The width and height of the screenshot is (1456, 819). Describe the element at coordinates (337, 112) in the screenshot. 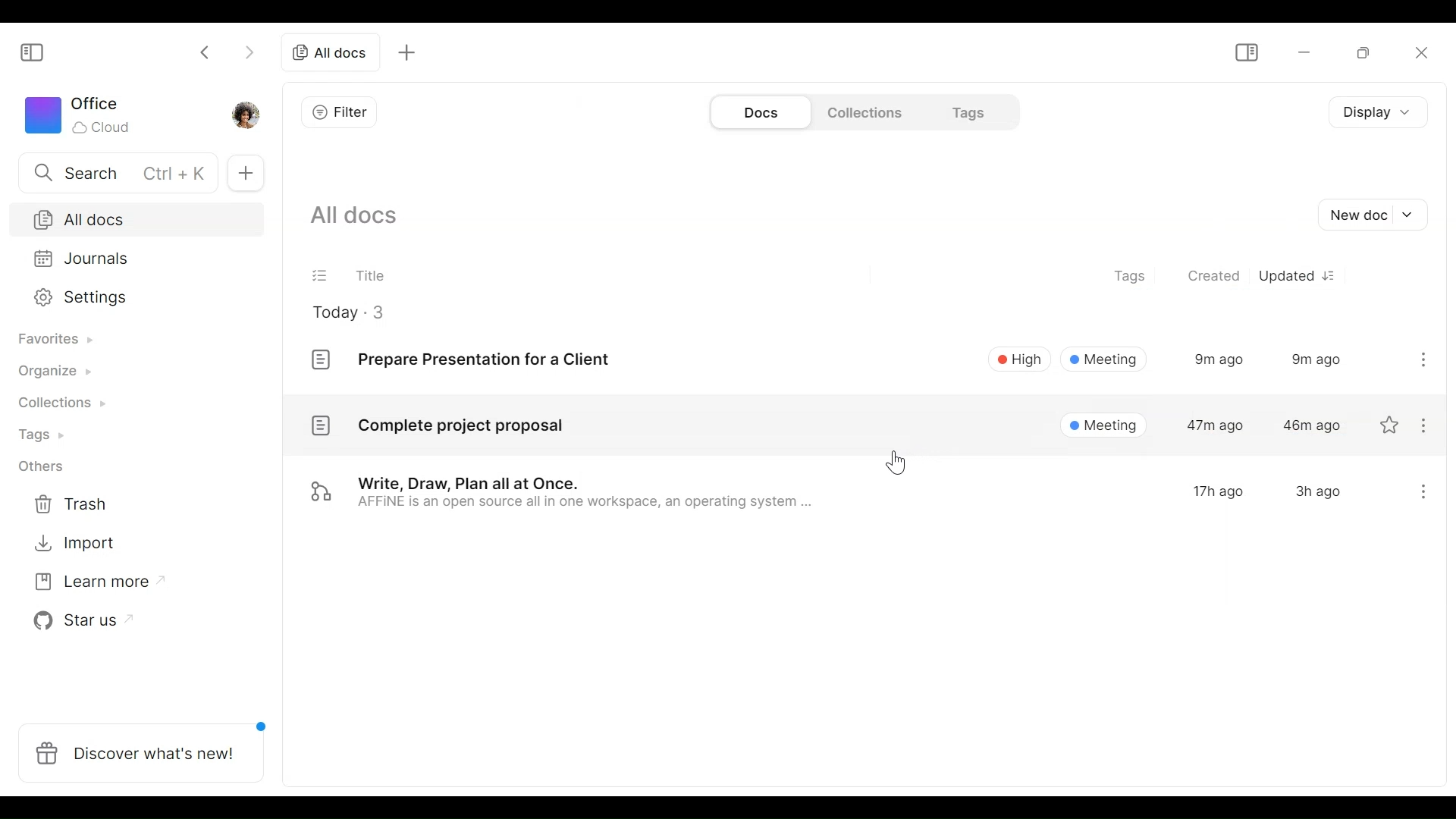

I see `Filter` at that location.